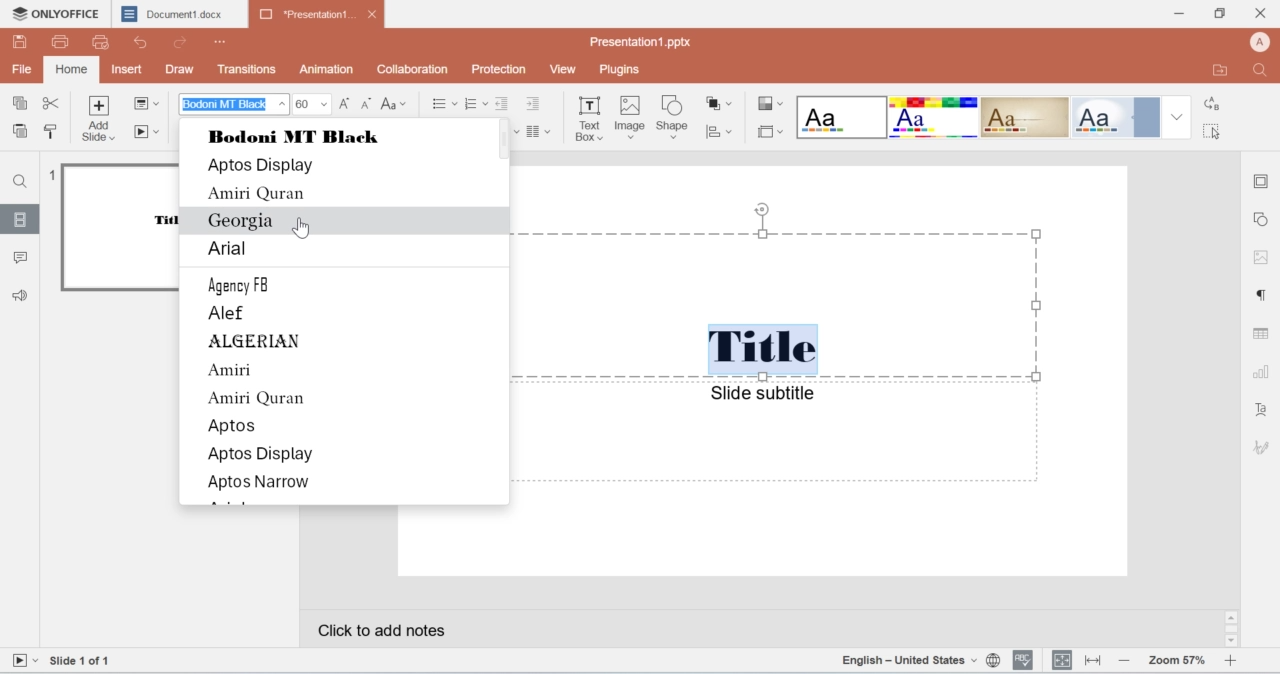 The width and height of the screenshot is (1280, 674). What do you see at coordinates (438, 104) in the screenshot?
I see `bullet points` at bounding box center [438, 104].